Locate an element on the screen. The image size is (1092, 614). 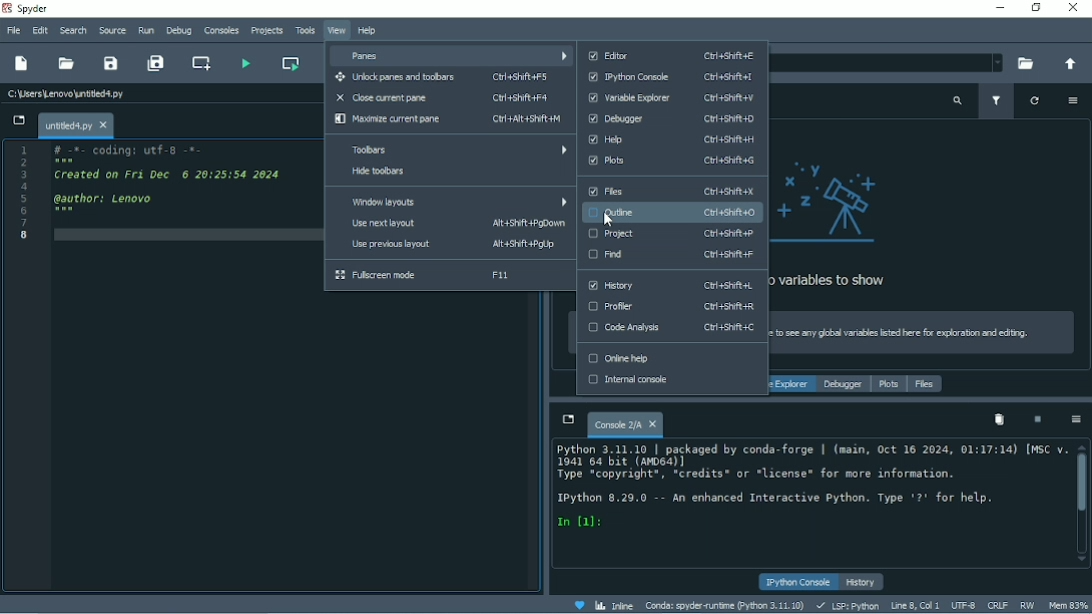
Unlock panes and toolbars is located at coordinates (442, 78).